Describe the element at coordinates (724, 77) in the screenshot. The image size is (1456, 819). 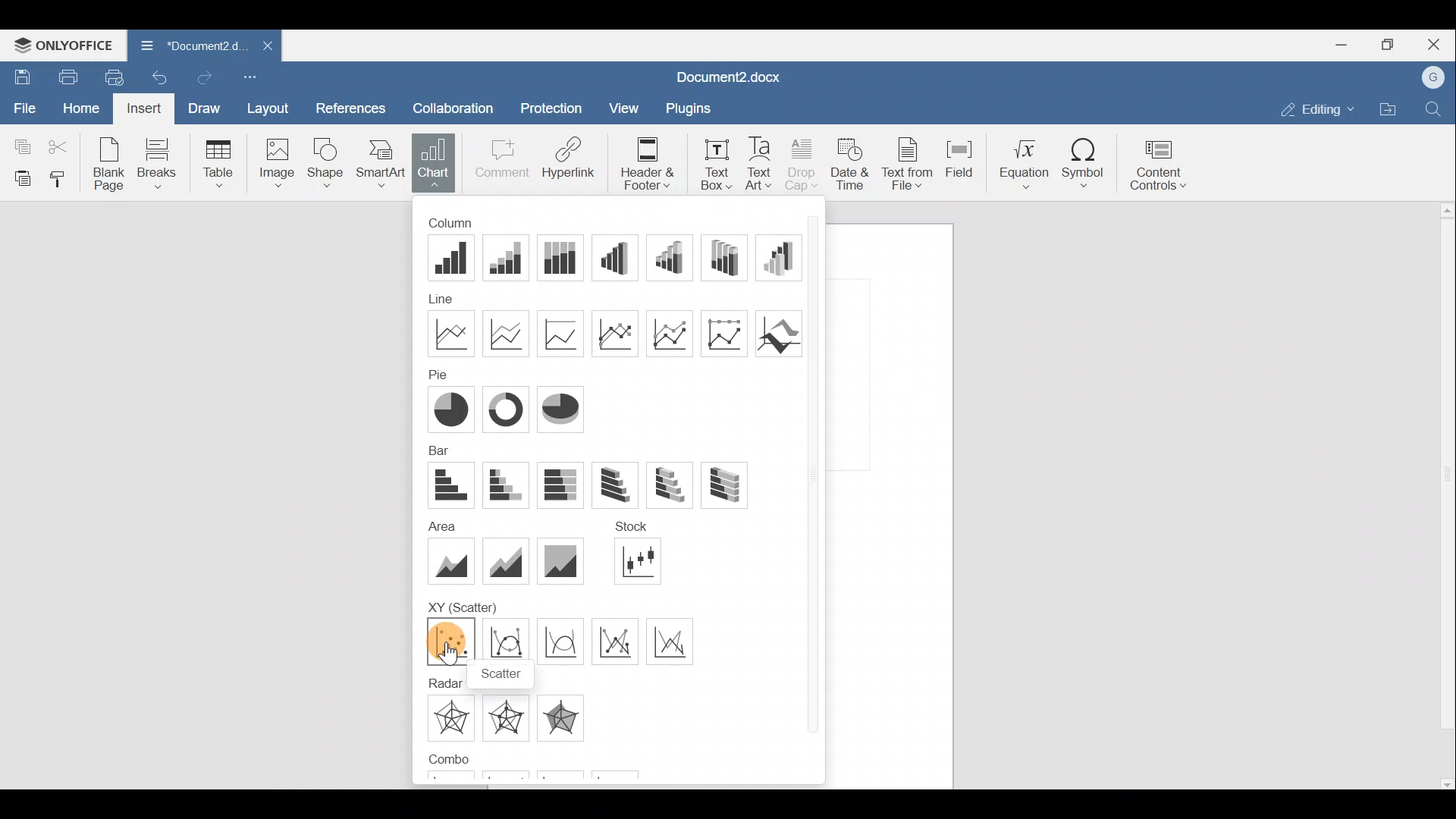
I see `Document2.docx` at that location.